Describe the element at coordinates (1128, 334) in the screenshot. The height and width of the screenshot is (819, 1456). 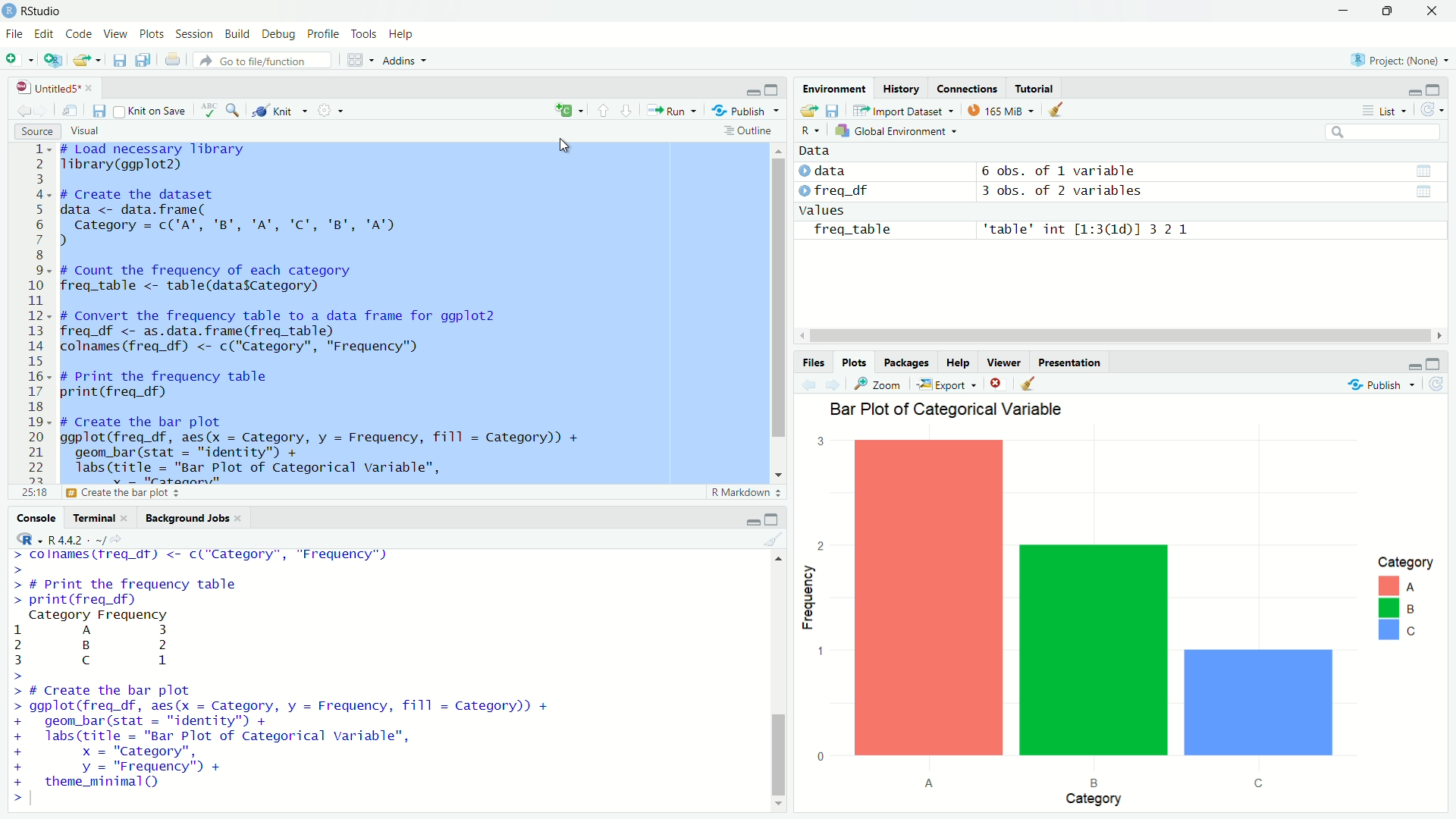
I see `Scrollbar` at that location.